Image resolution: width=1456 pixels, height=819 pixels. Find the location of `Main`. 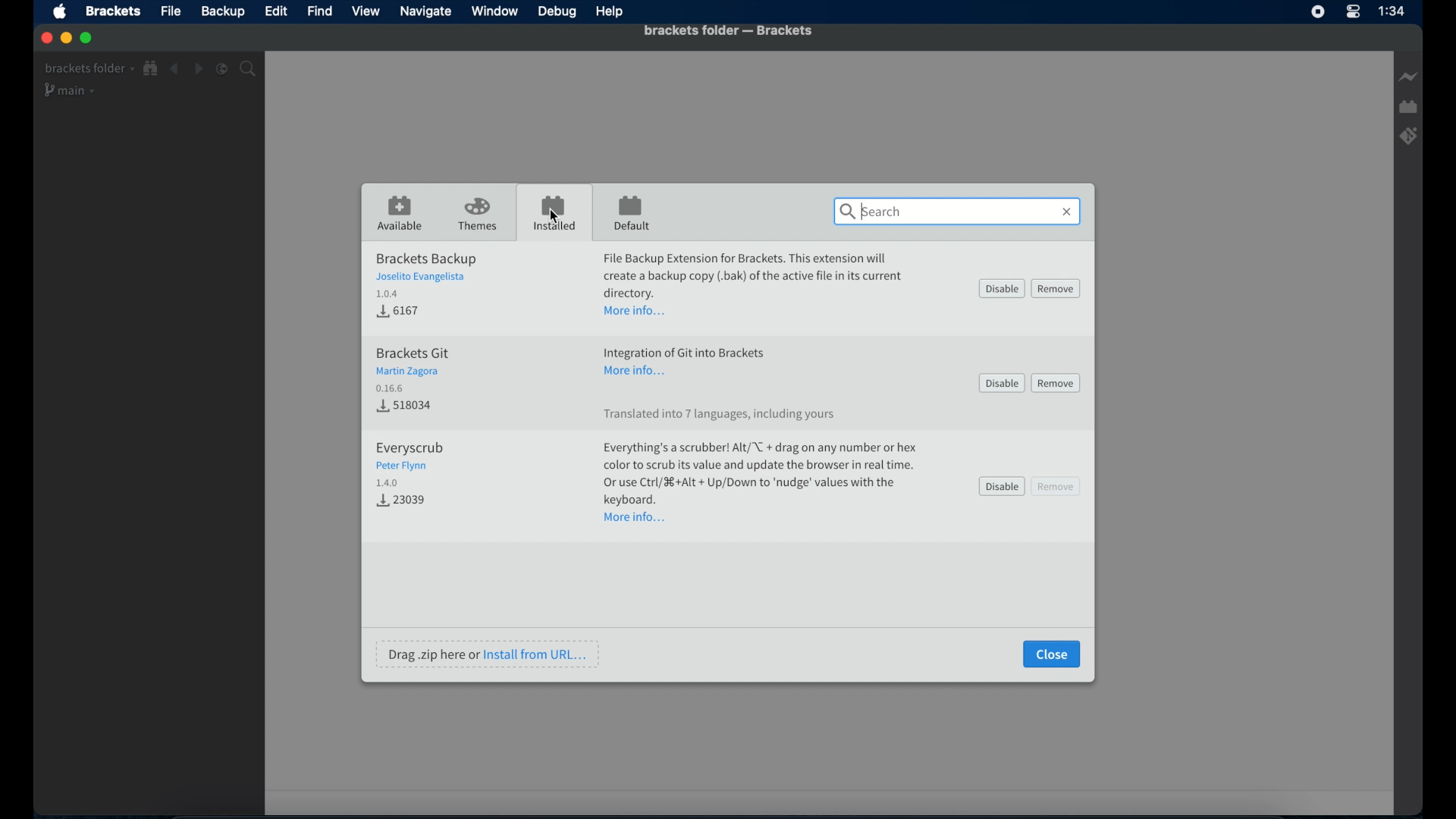

Main is located at coordinates (71, 90).